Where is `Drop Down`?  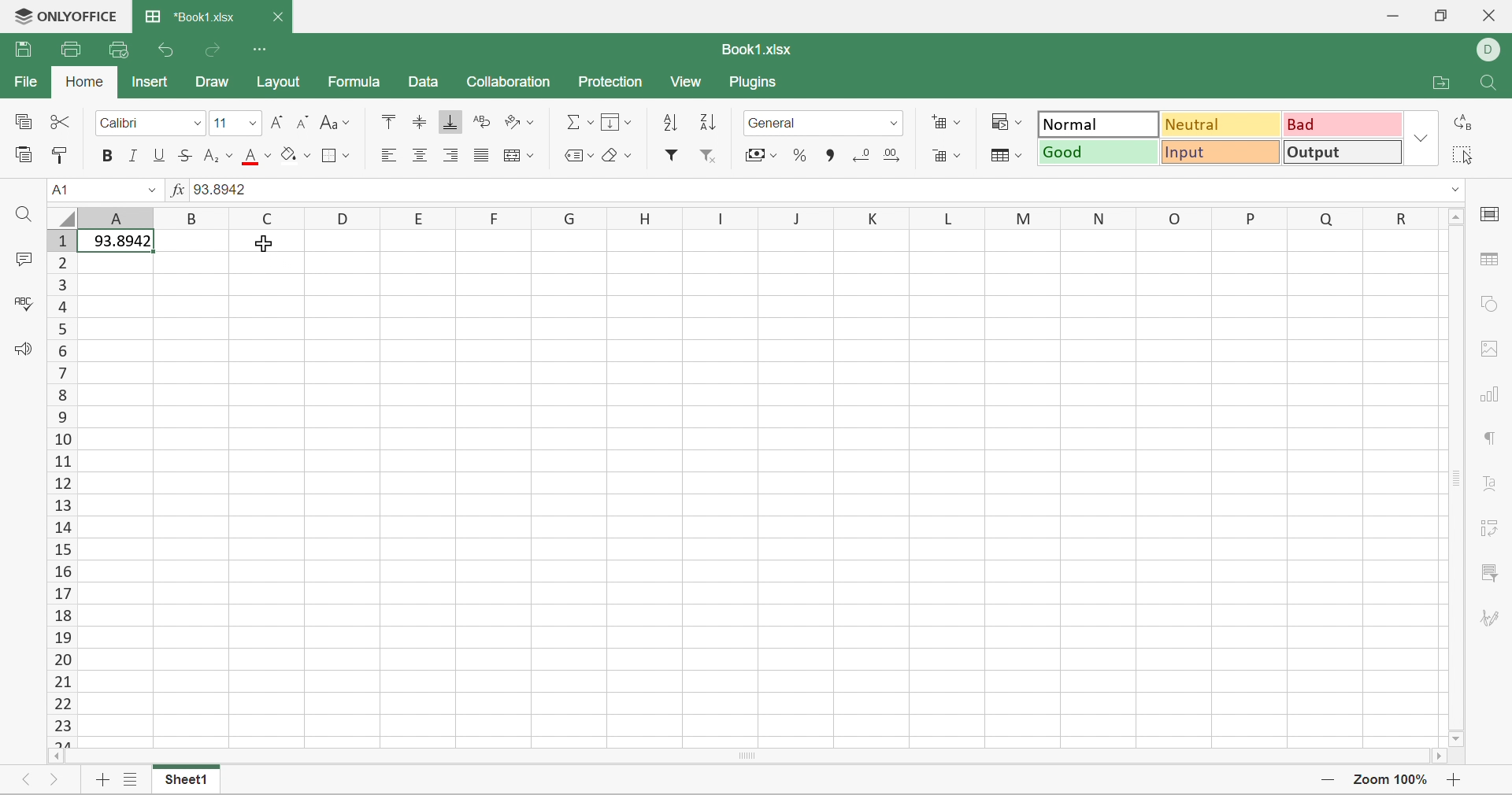
Drop Down is located at coordinates (152, 189).